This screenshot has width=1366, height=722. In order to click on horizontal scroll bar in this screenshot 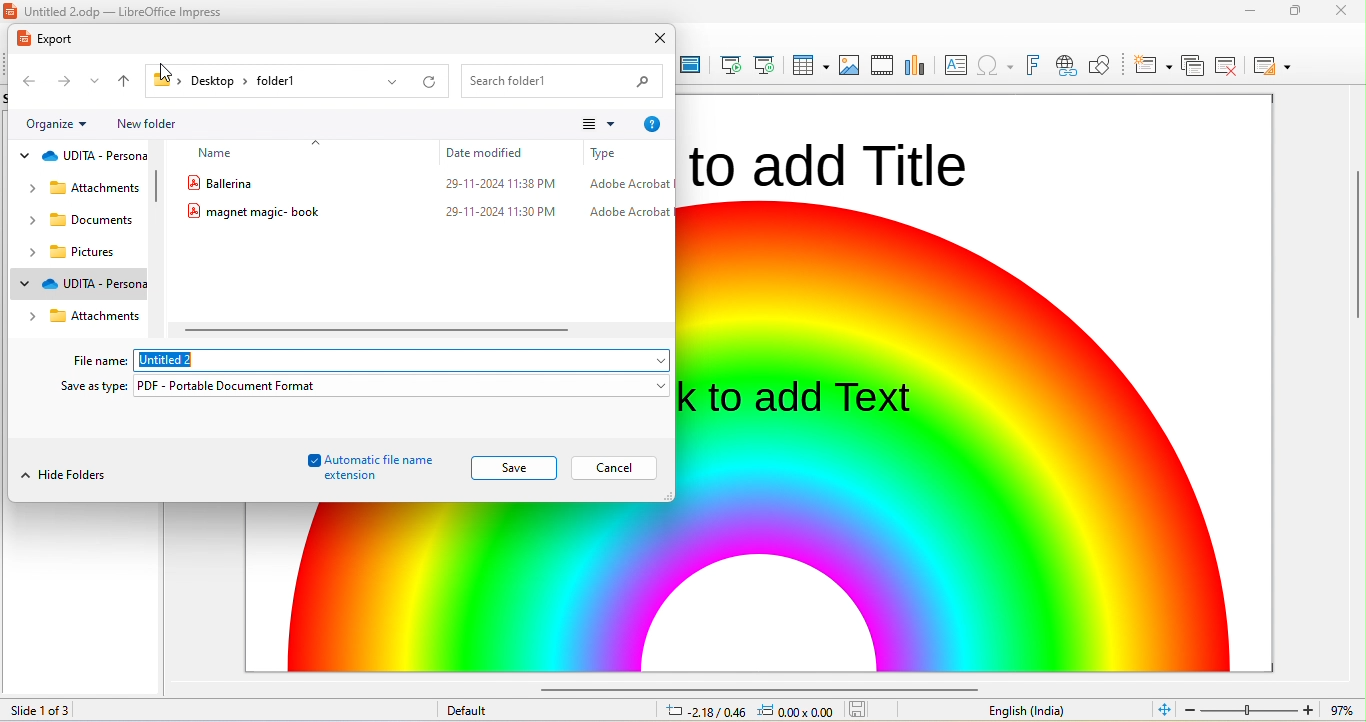, I will do `click(750, 686)`.